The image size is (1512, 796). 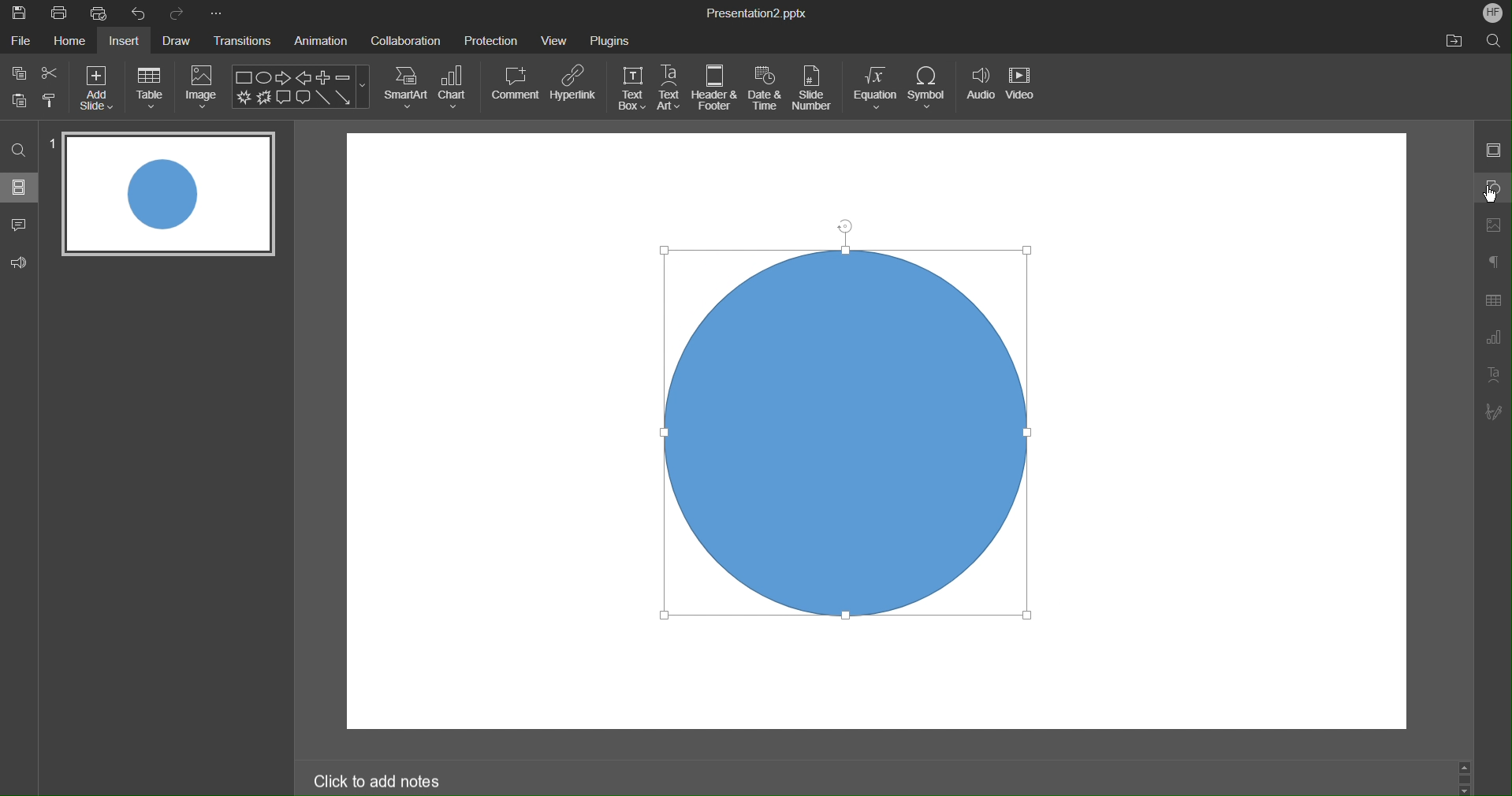 What do you see at coordinates (491, 39) in the screenshot?
I see `Protection` at bounding box center [491, 39].